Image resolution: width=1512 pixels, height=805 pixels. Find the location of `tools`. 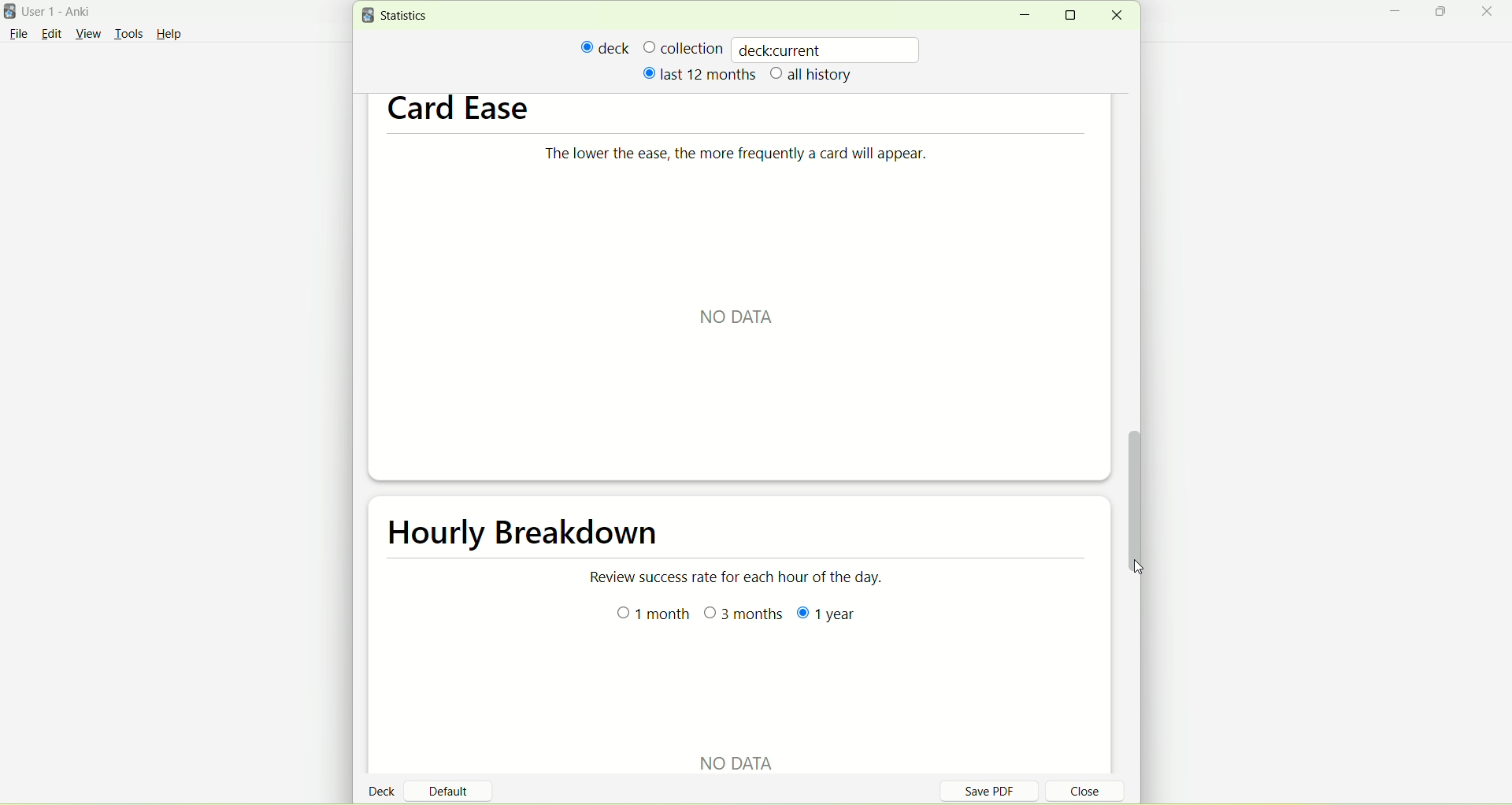

tools is located at coordinates (128, 35).